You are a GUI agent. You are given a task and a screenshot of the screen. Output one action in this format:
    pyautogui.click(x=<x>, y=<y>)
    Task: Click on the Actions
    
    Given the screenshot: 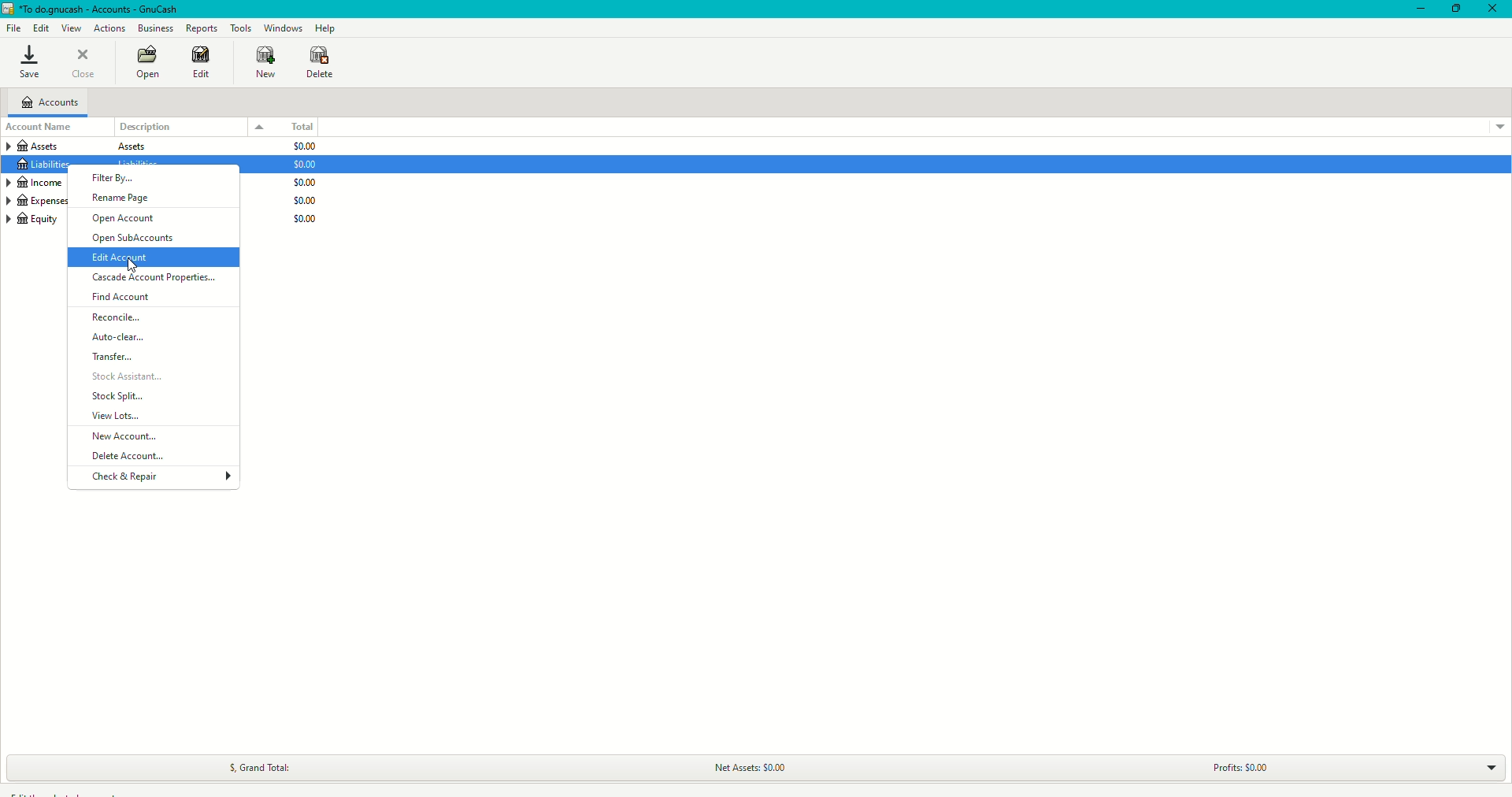 What is the action you would take?
    pyautogui.click(x=111, y=28)
    